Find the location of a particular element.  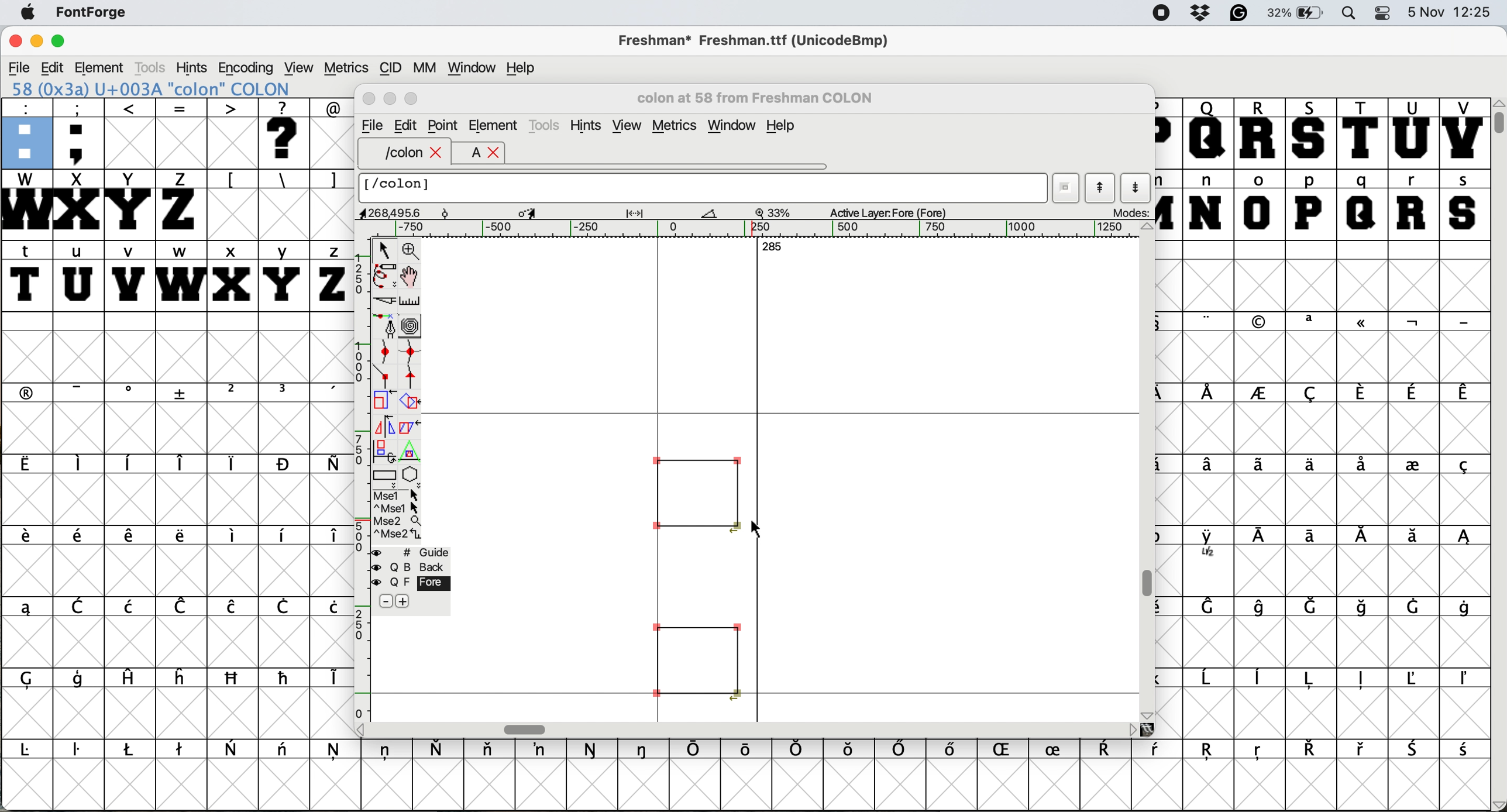

element is located at coordinates (102, 67).